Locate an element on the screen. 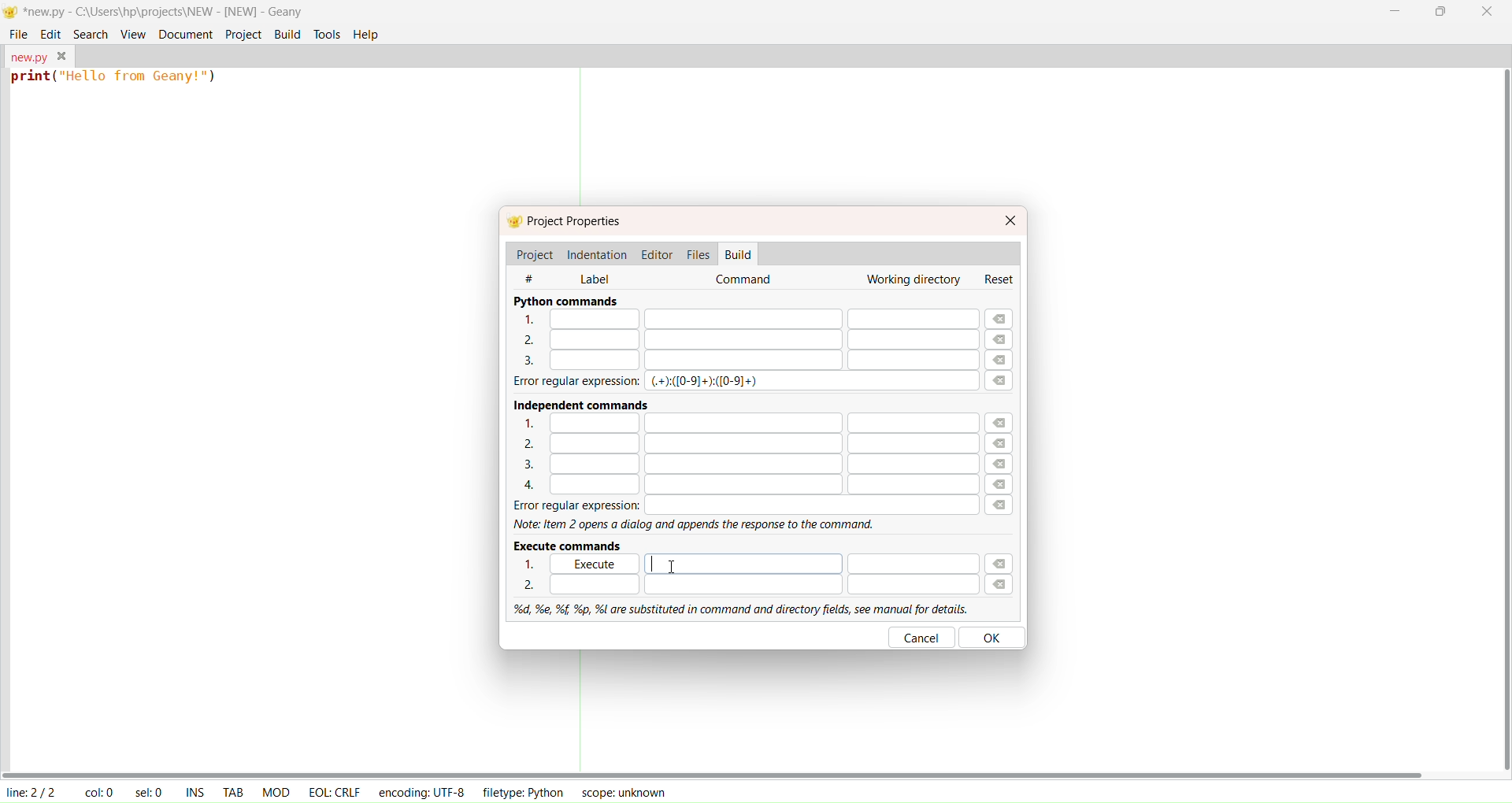 This screenshot has height=803, width=1512. error regular expression is located at coordinates (737, 505).